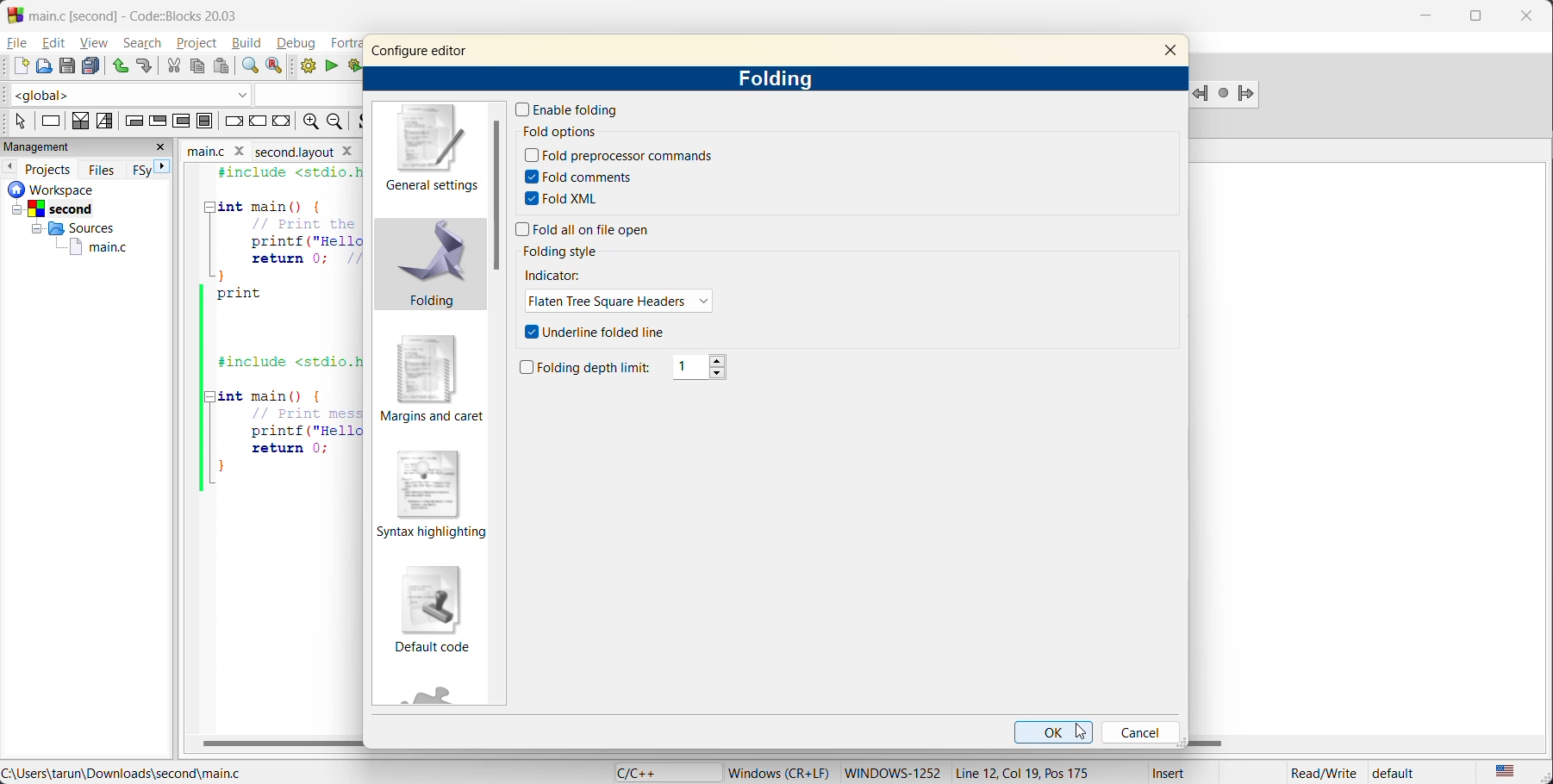 The width and height of the screenshot is (1553, 784). I want to click on previous, so click(9, 168).